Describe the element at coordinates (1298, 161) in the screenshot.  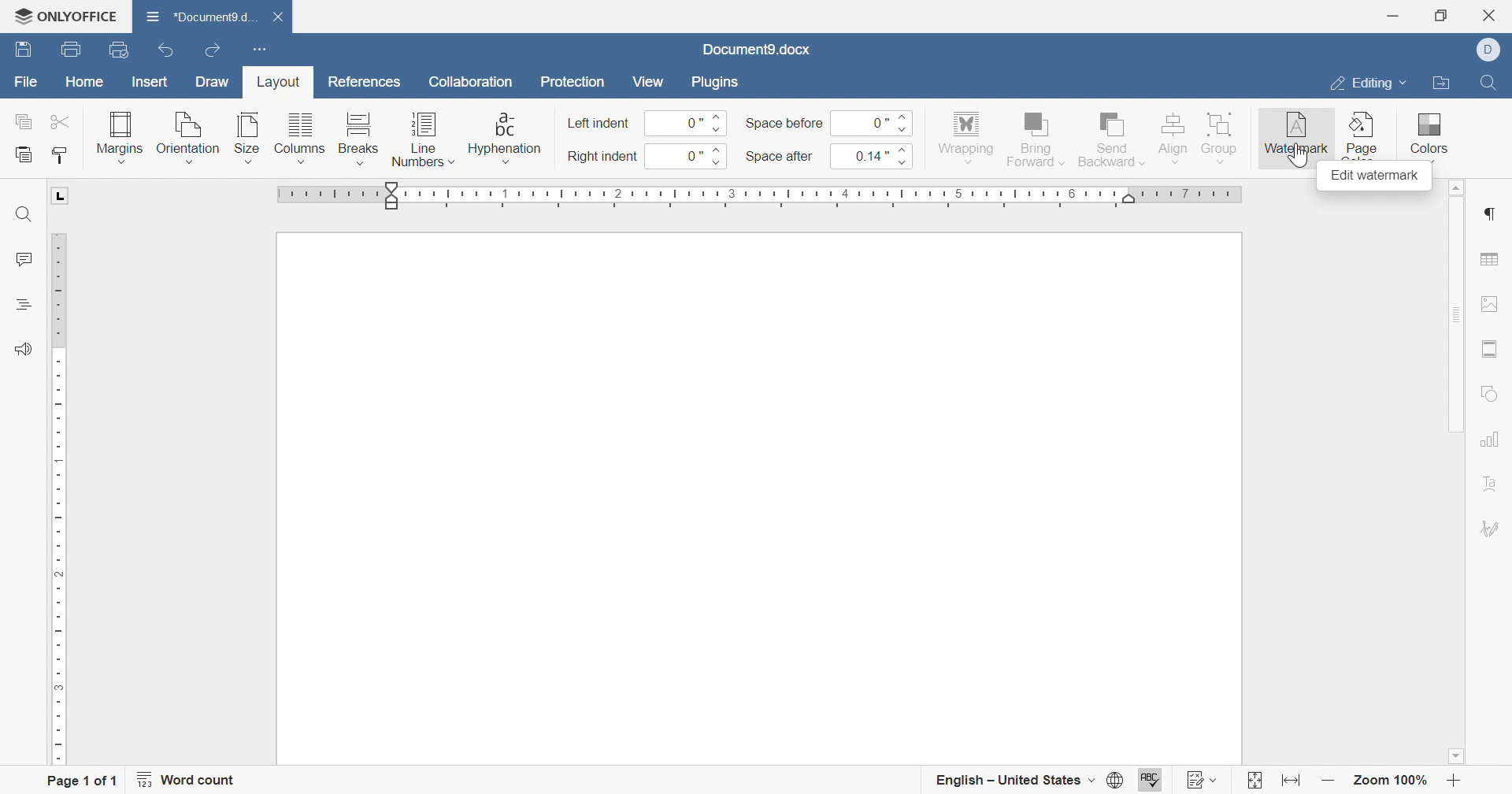
I see `cursor` at that location.